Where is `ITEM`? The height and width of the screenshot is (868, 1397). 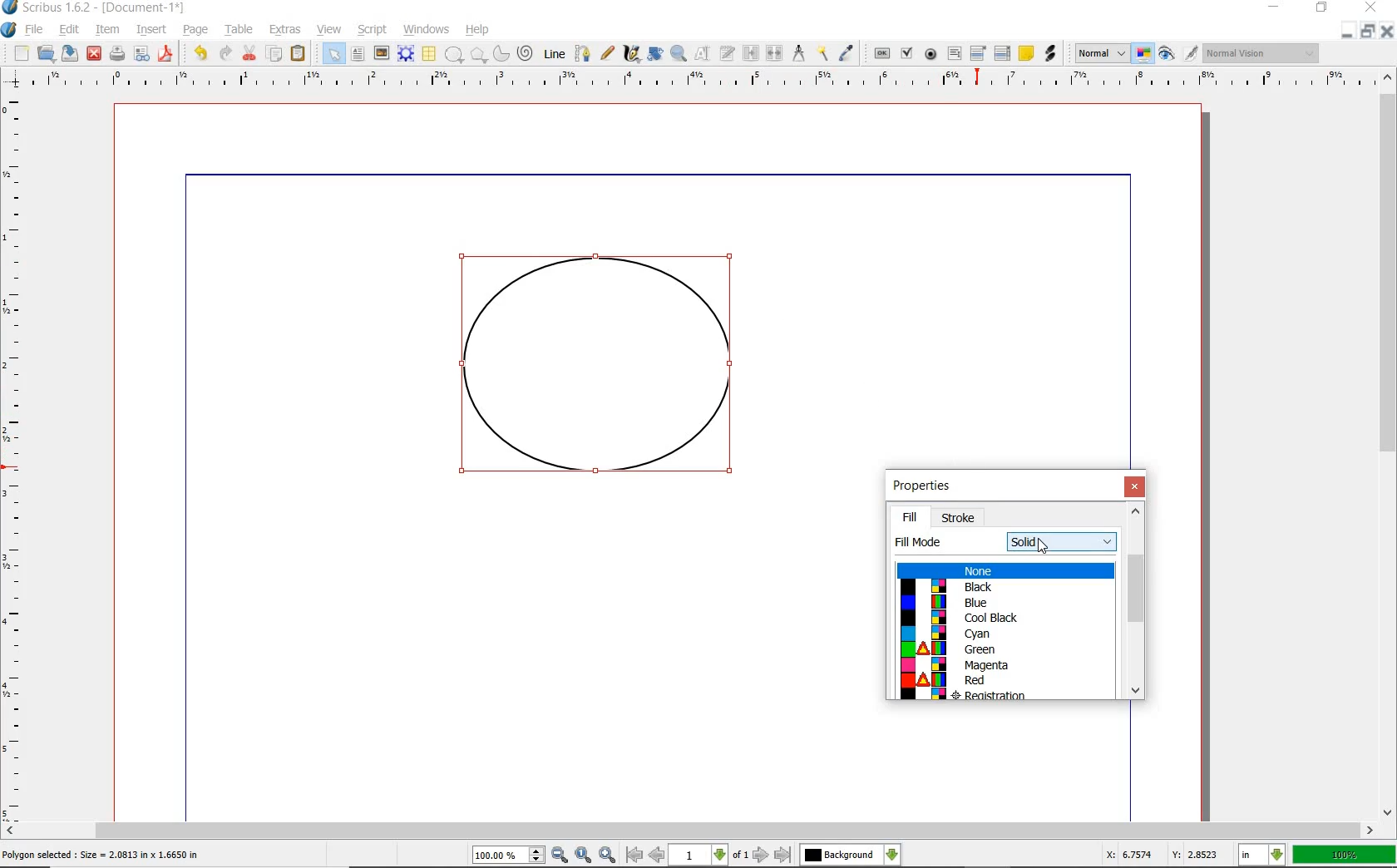 ITEM is located at coordinates (108, 28).